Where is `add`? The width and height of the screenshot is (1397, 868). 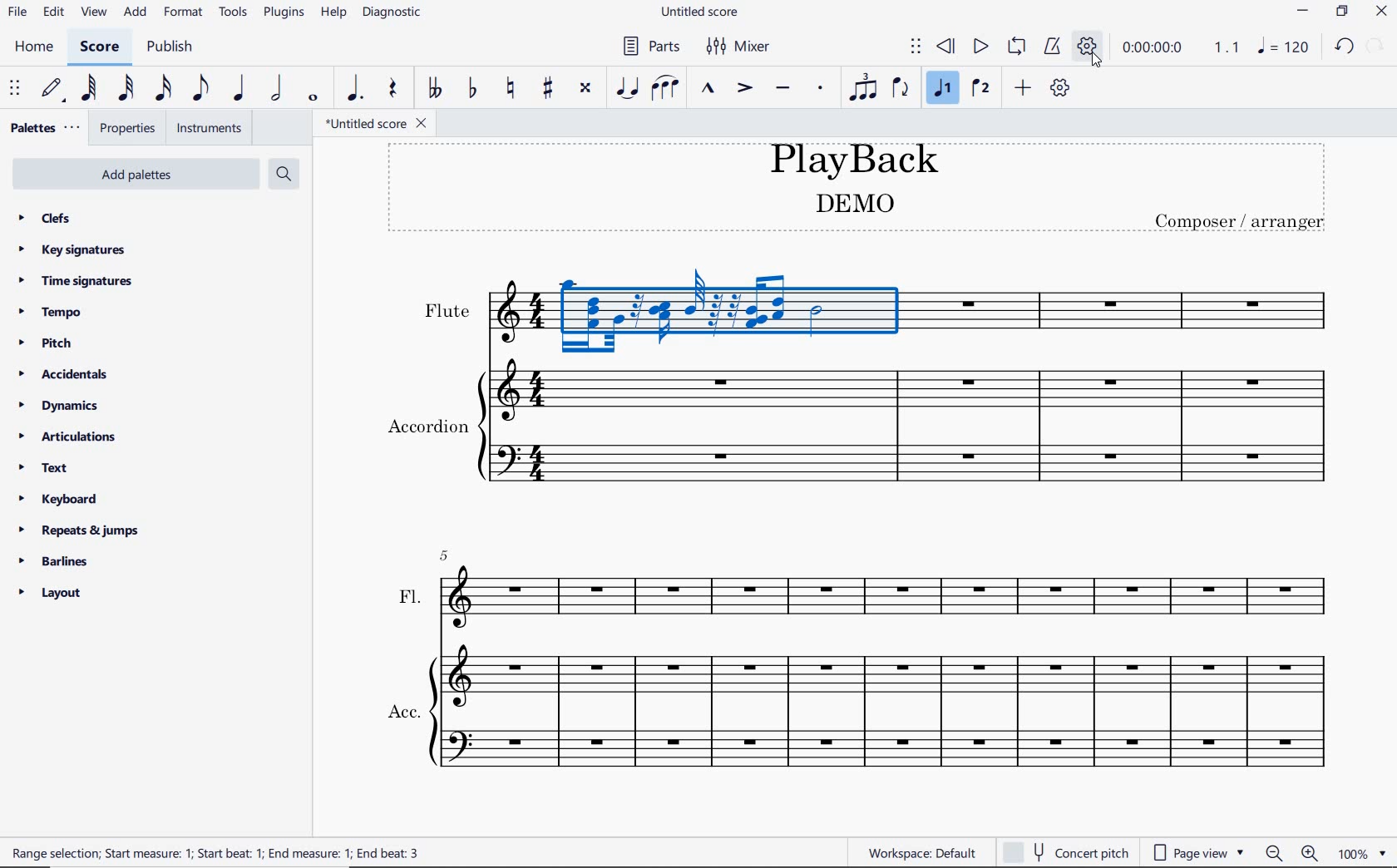 add is located at coordinates (1023, 87).